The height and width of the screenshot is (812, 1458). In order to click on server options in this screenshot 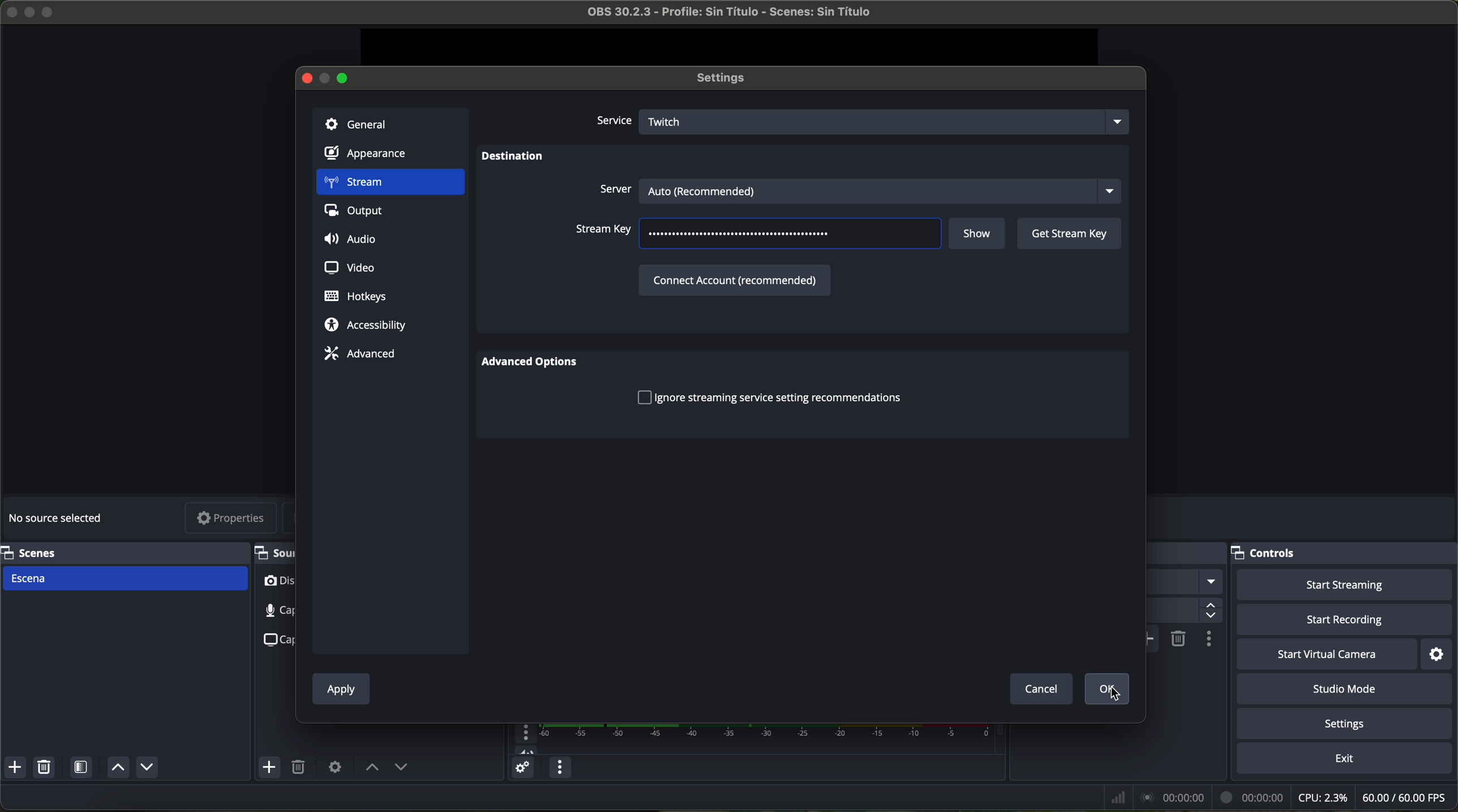, I will do `click(857, 189)`.